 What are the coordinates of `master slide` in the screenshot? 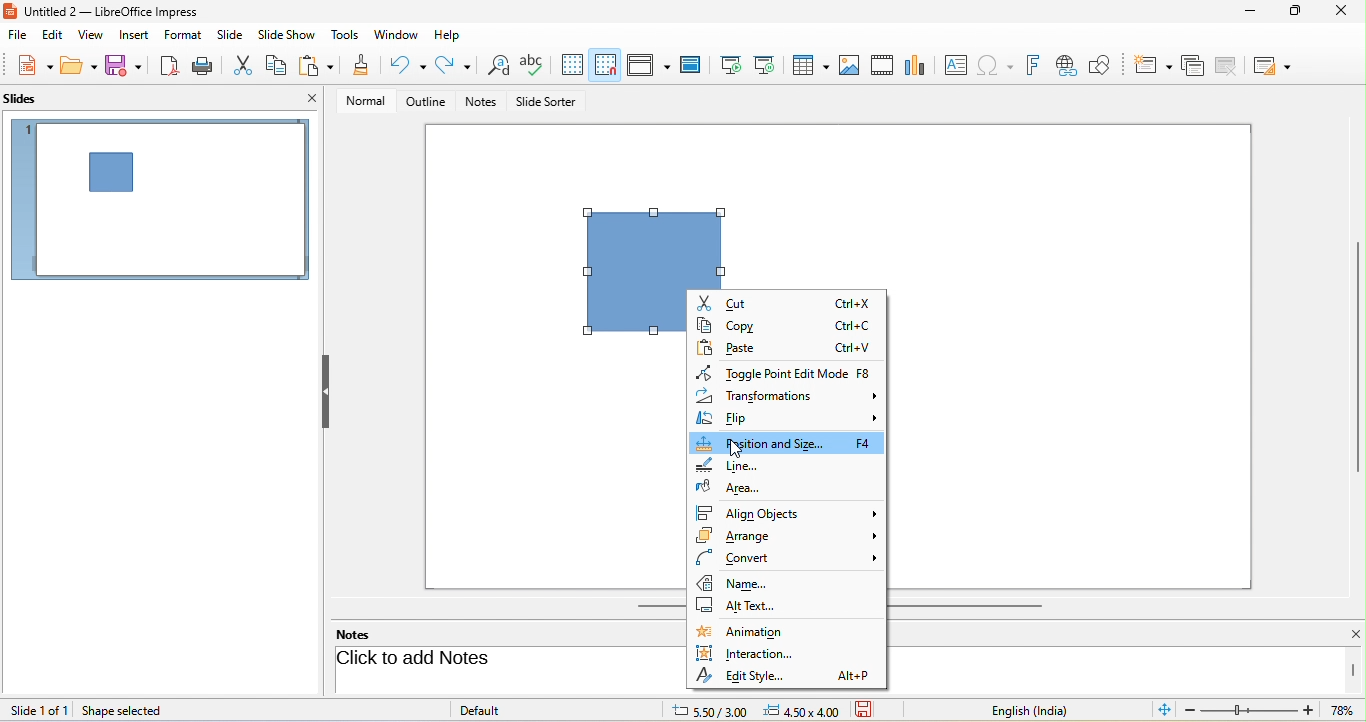 It's located at (695, 65).